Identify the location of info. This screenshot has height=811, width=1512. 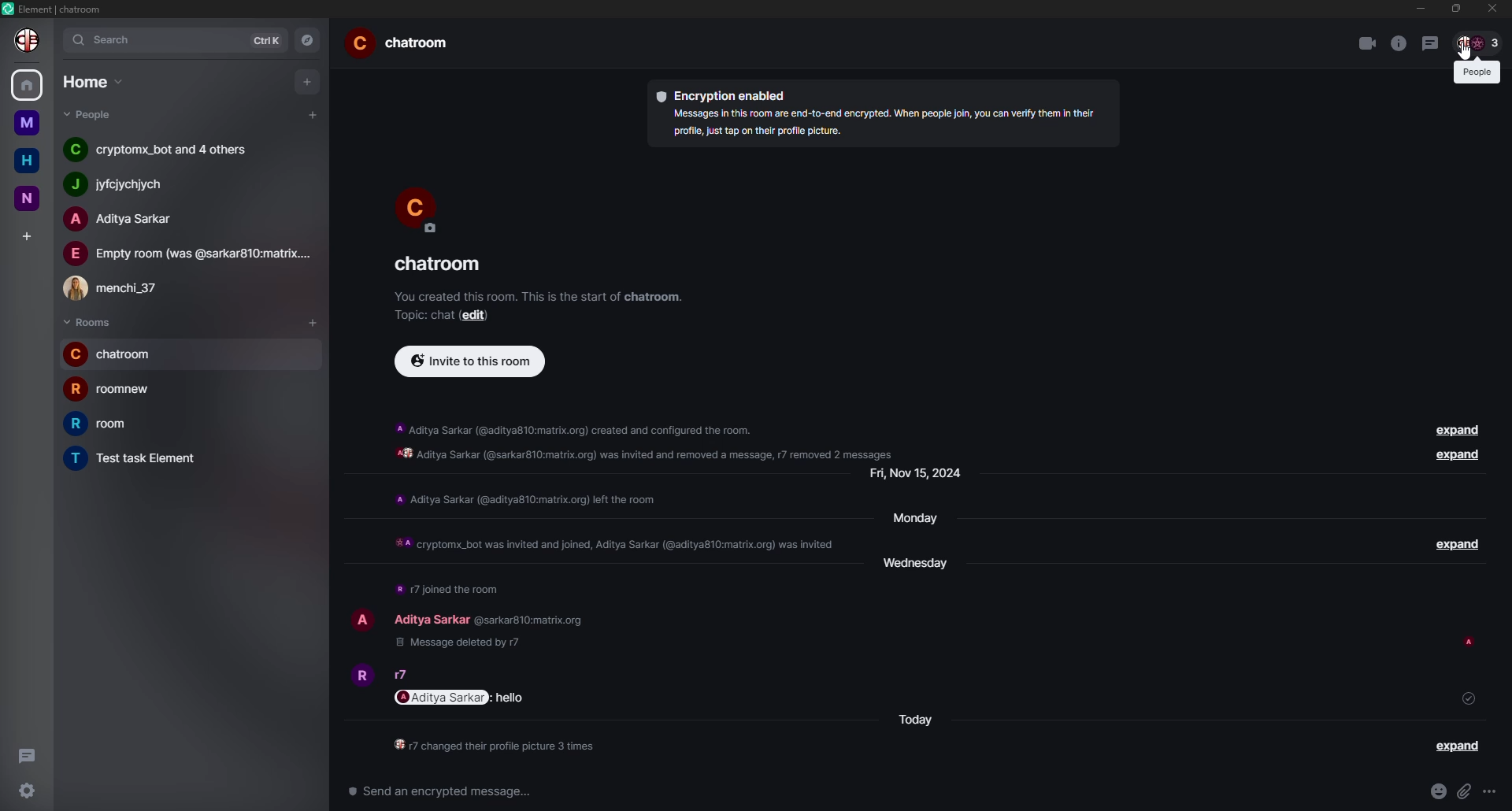
(652, 441).